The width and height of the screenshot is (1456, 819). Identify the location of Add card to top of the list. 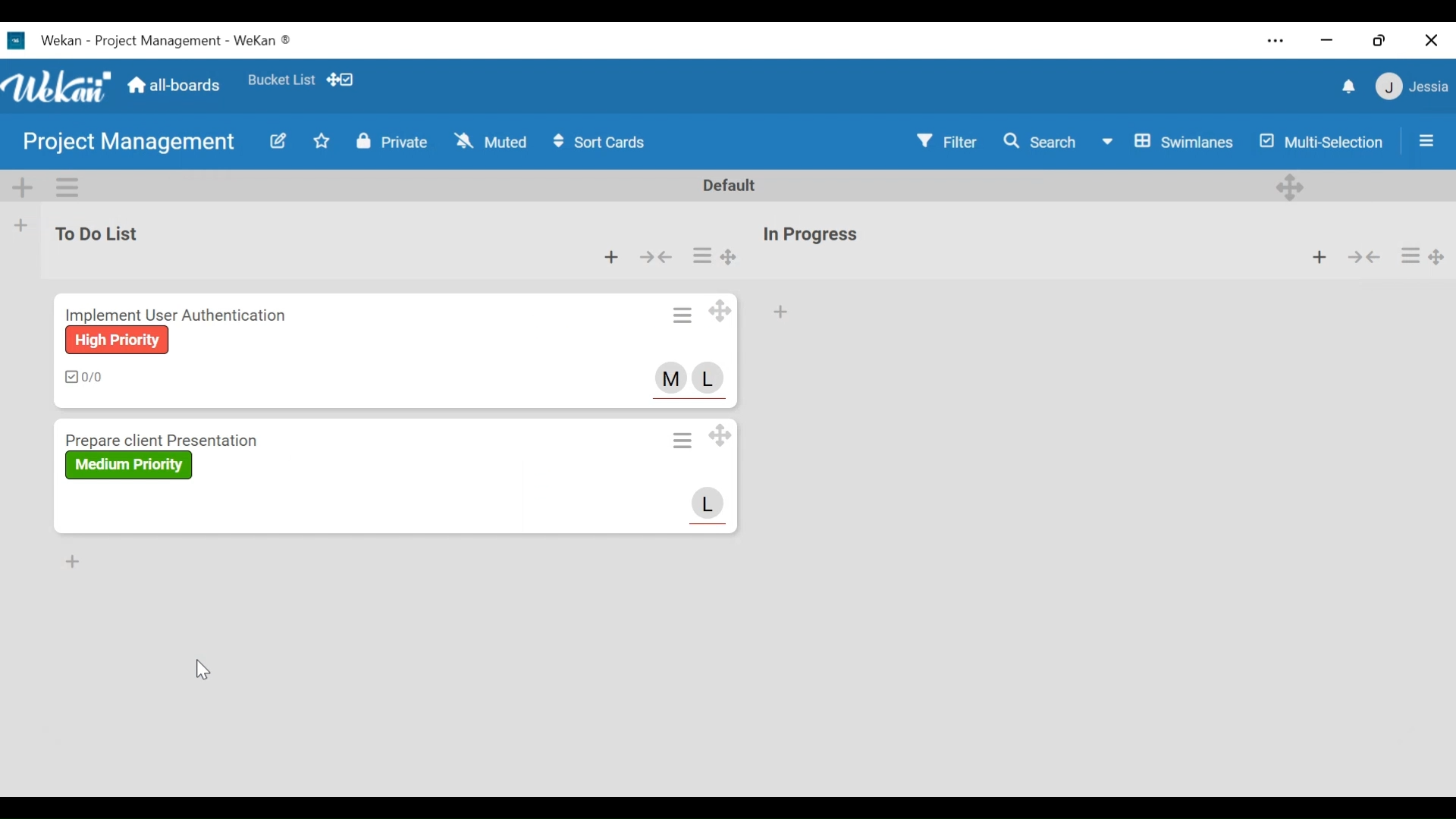
(1321, 256).